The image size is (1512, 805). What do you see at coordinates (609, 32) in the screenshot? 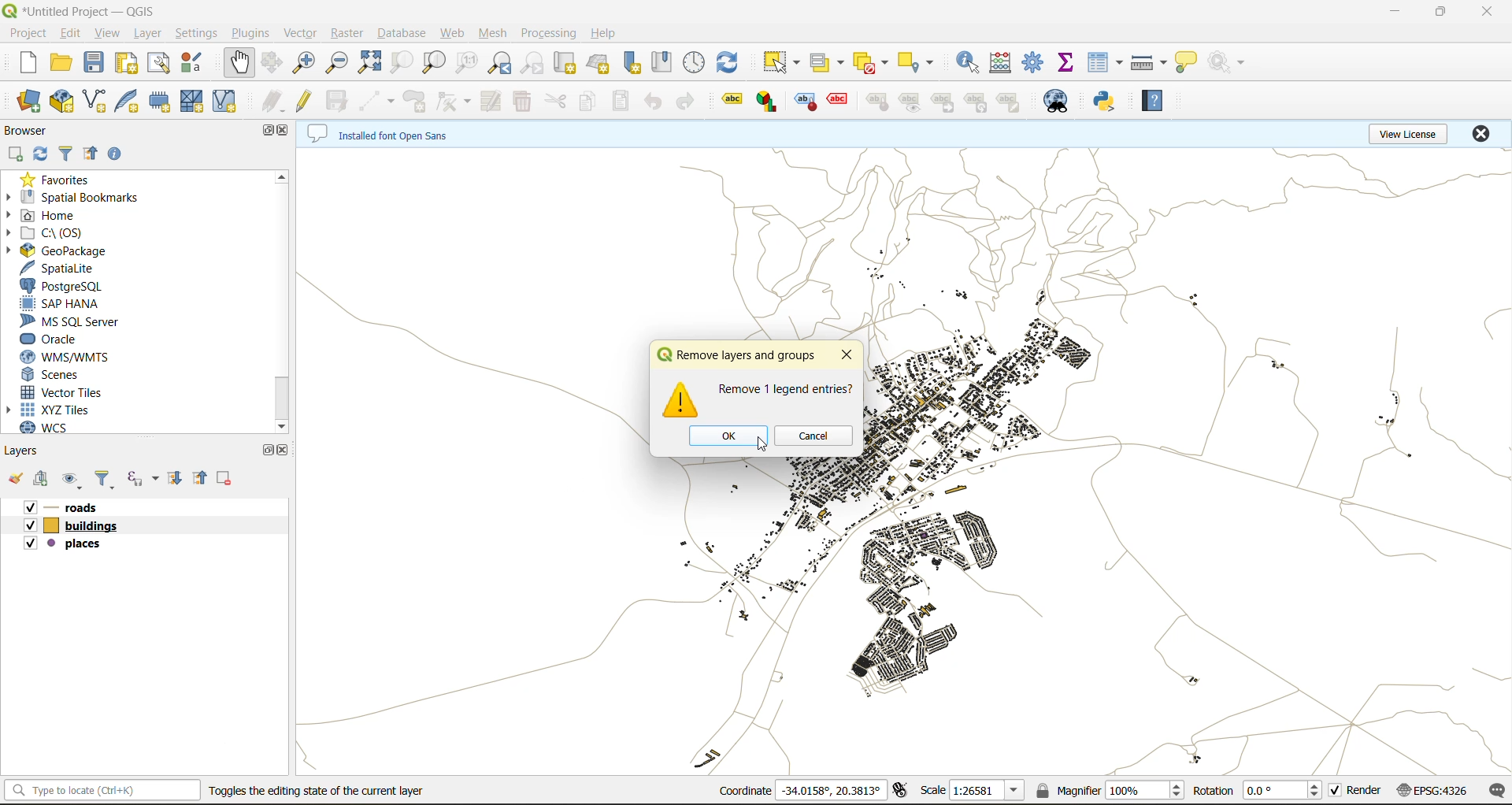
I see `help` at bounding box center [609, 32].